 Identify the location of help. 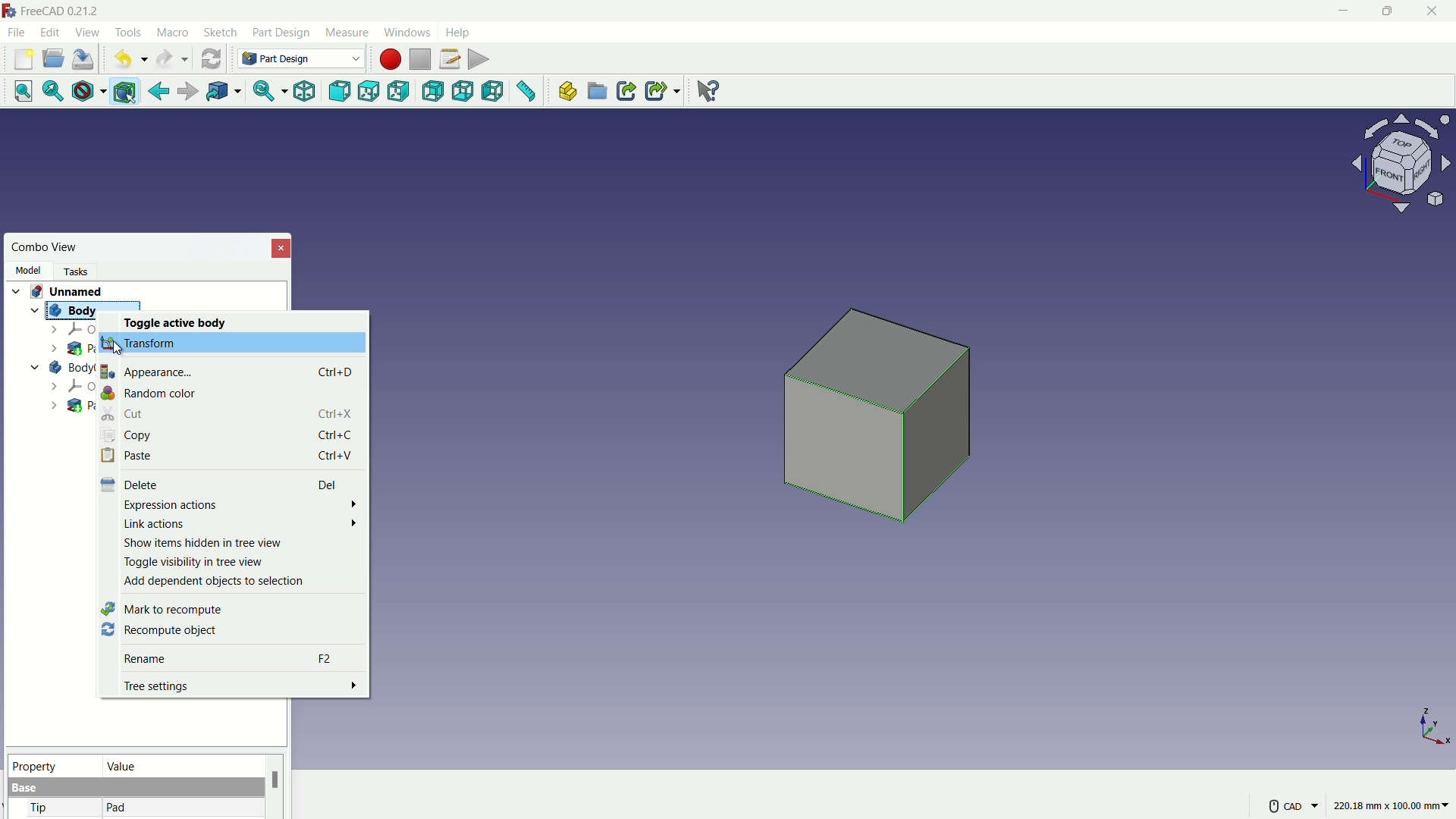
(460, 31).